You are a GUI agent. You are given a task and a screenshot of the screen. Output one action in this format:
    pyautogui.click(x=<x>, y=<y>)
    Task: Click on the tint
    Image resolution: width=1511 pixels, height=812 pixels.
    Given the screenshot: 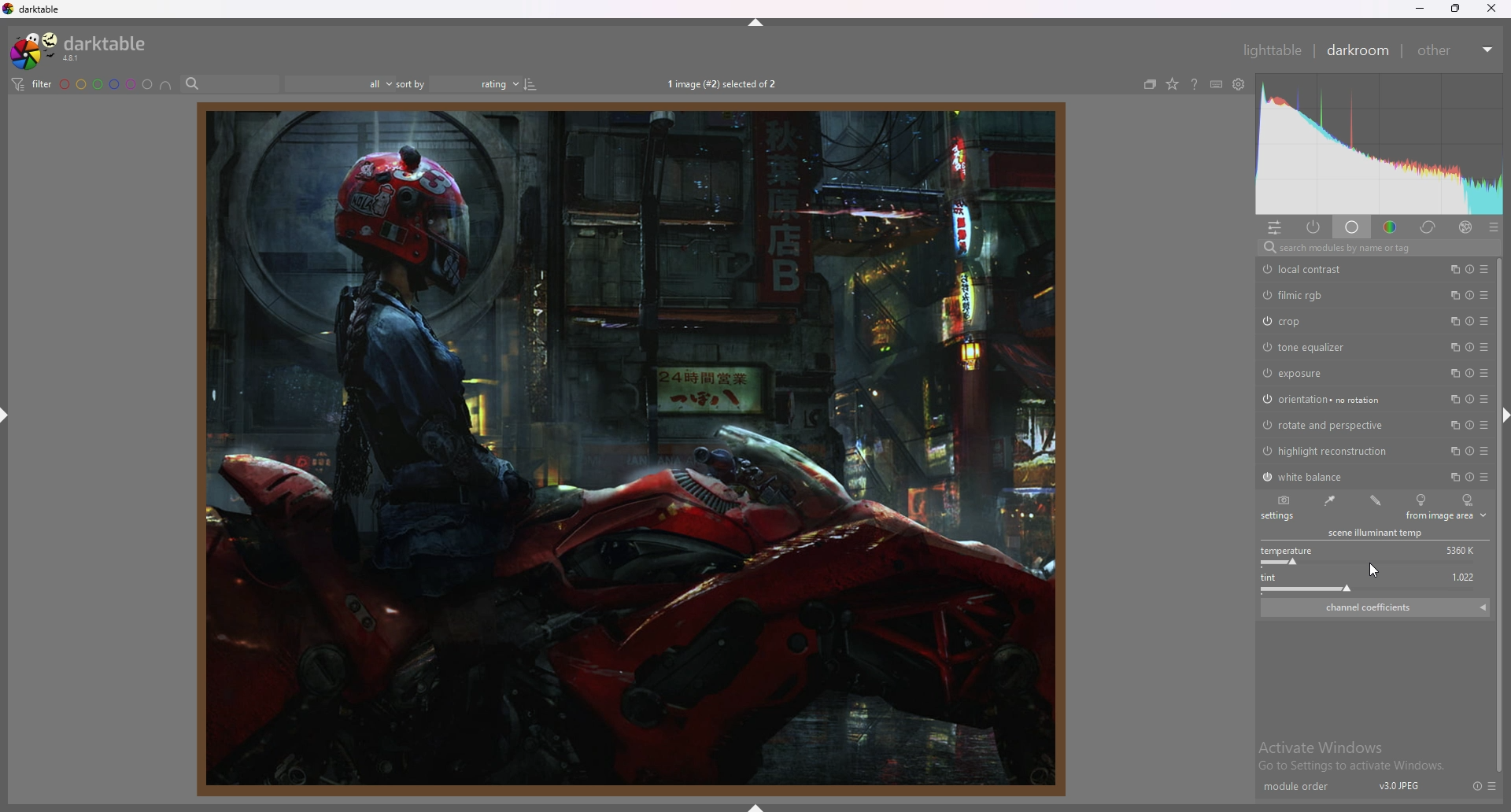 What is the action you would take?
    pyautogui.click(x=1270, y=578)
    